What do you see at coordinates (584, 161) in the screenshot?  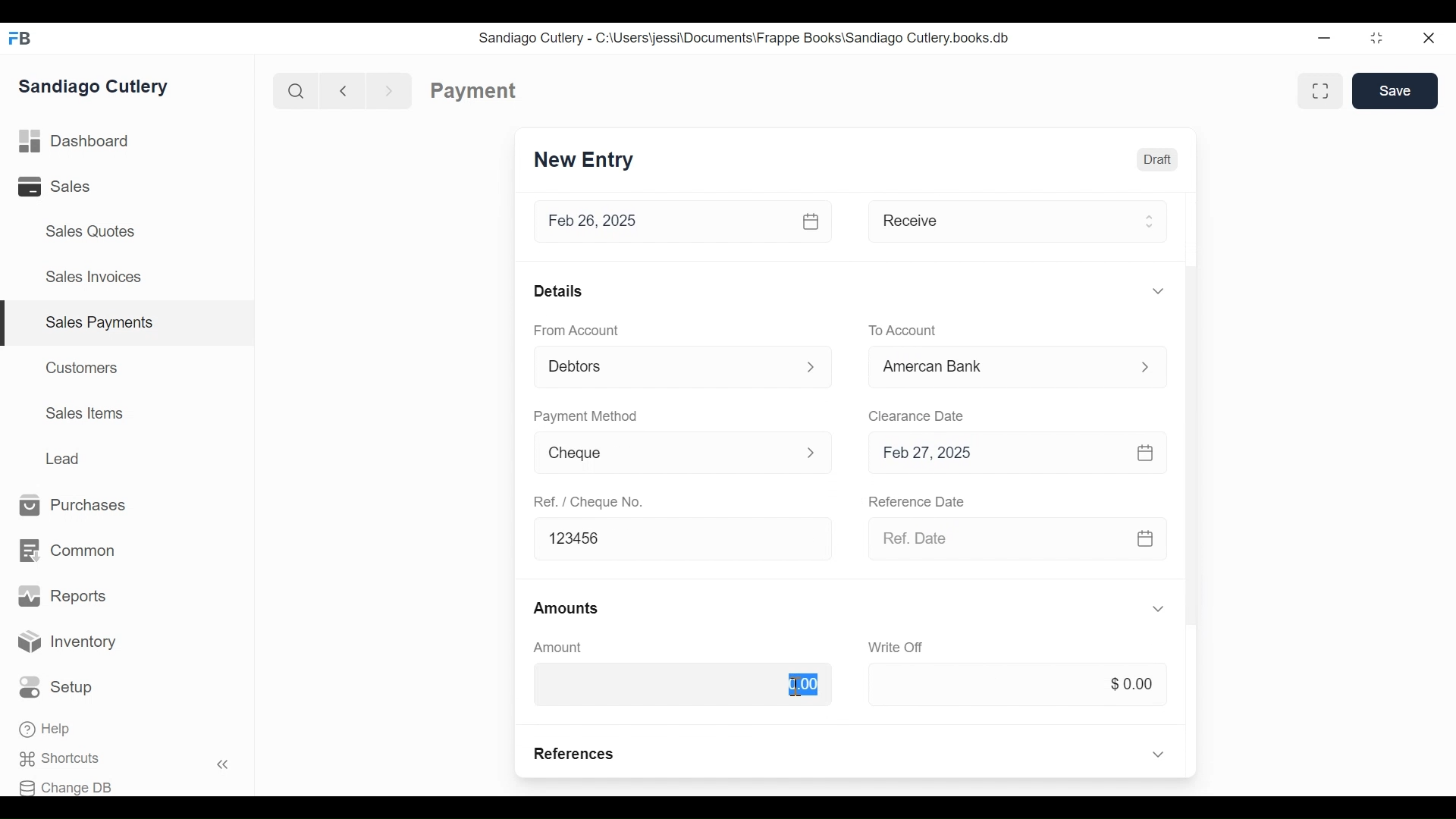 I see `New Entry` at bounding box center [584, 161].